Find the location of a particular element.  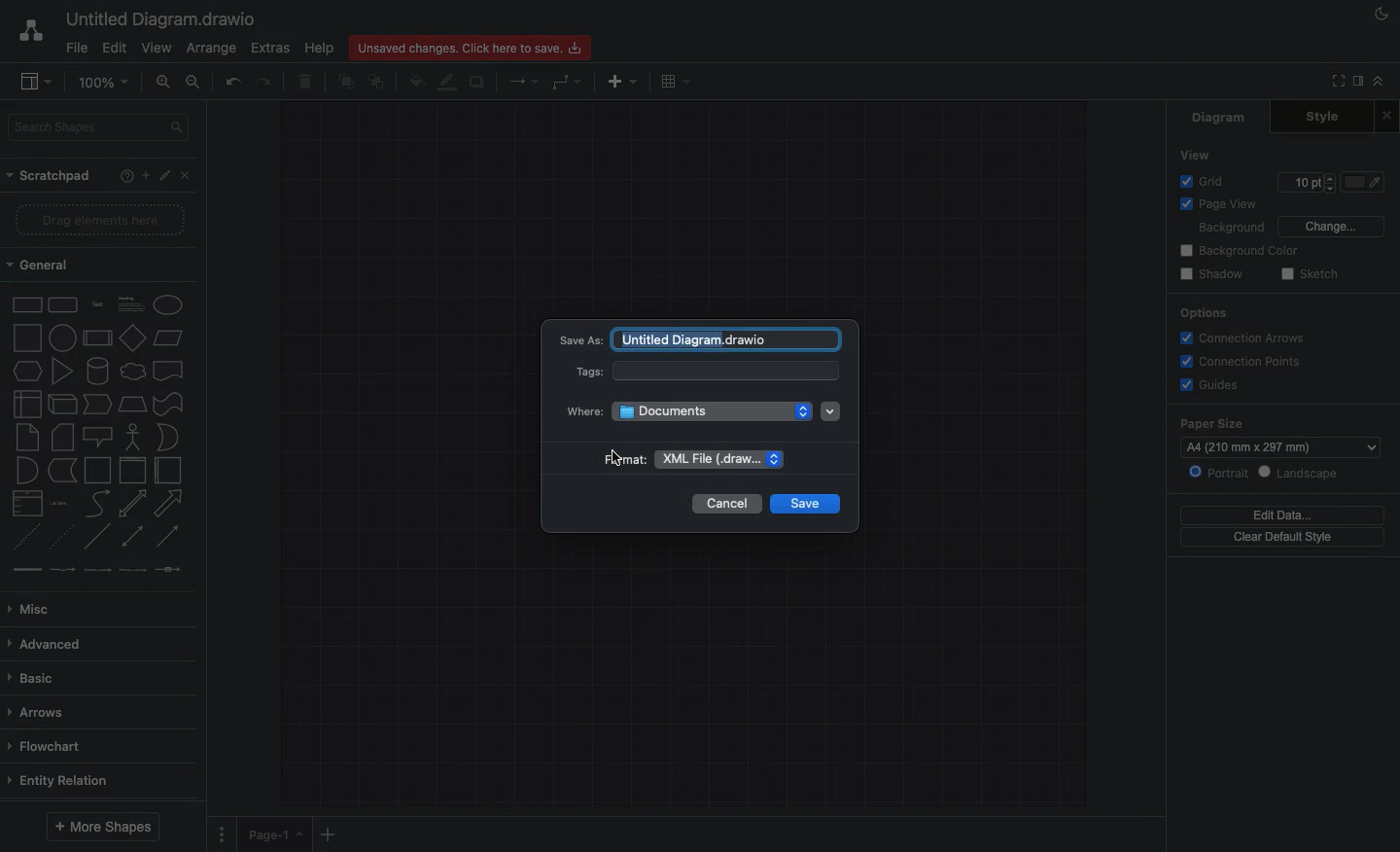

Arrange is located at coordinates (211, 50).